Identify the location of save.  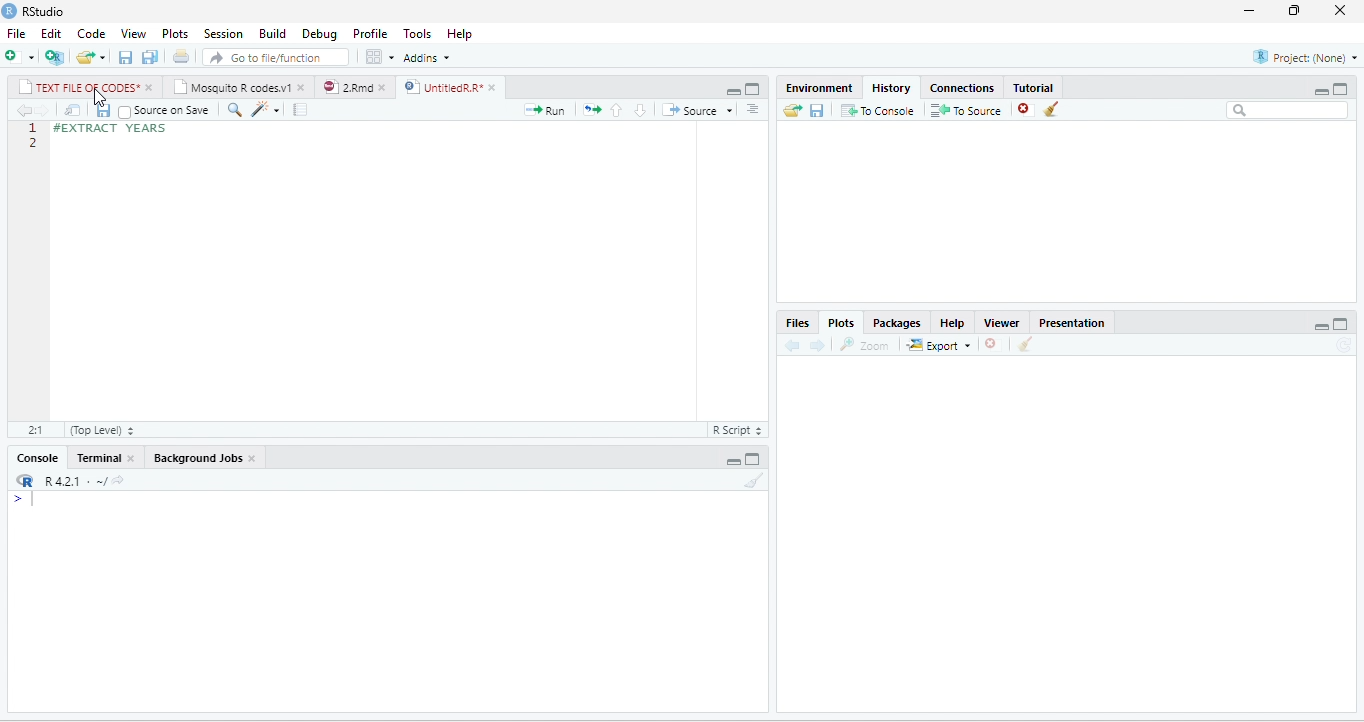
(103, 110).